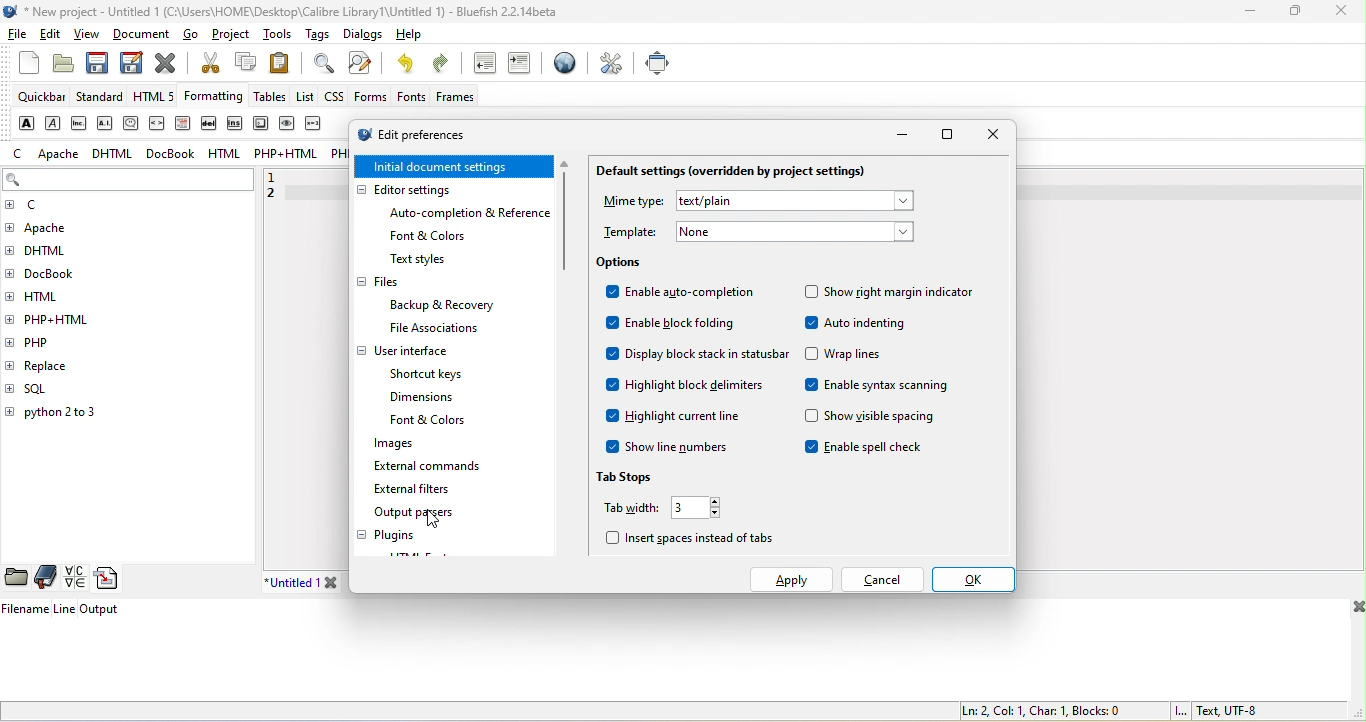 Image resolution: width=1366 pixels, height=722 pixels. I want to click on 2, so click(278, 199).